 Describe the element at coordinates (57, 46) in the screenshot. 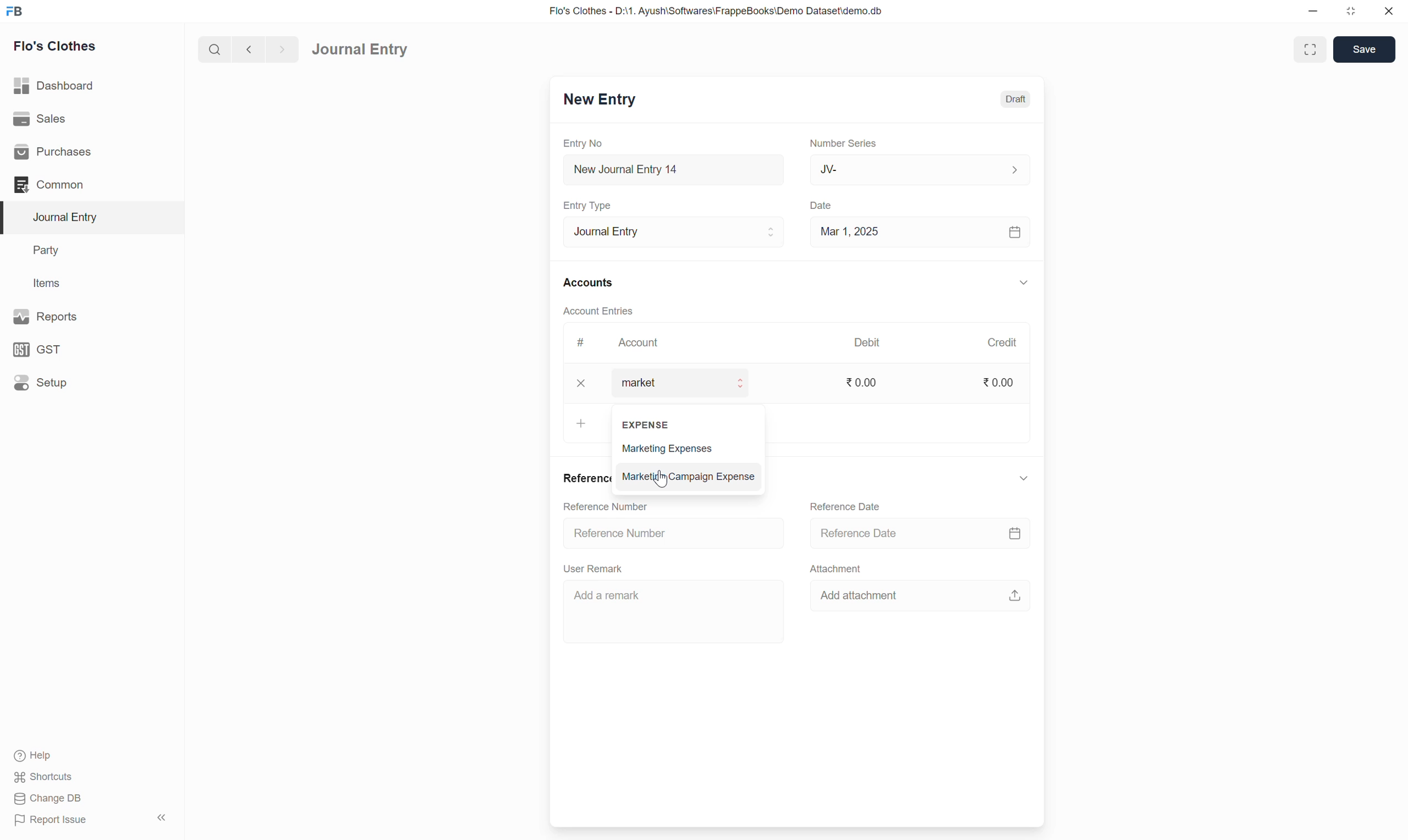

I see `Flo's Clothes` at that location.